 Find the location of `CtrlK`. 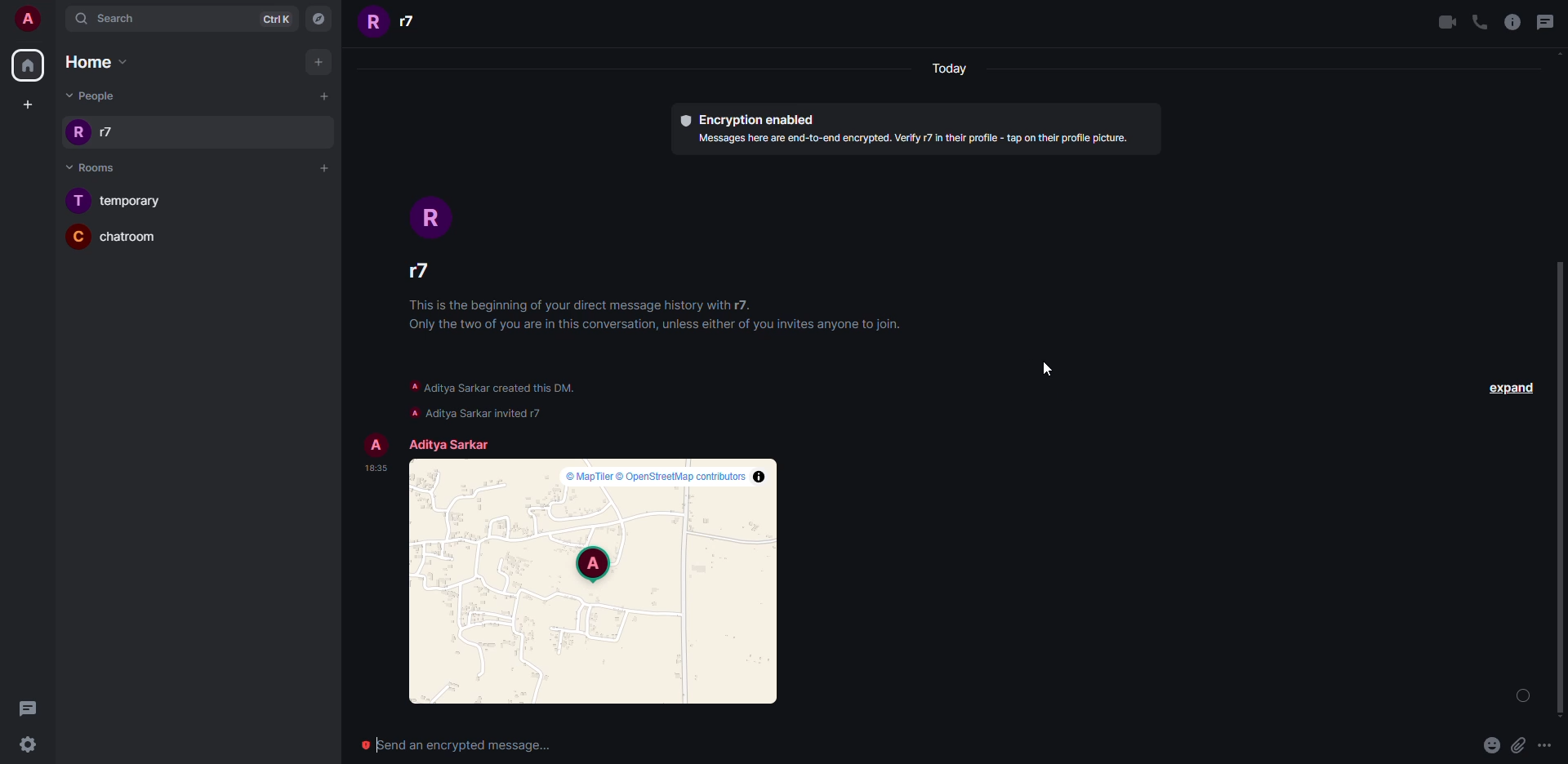

CtrlK is located at coordinates (278, 20).